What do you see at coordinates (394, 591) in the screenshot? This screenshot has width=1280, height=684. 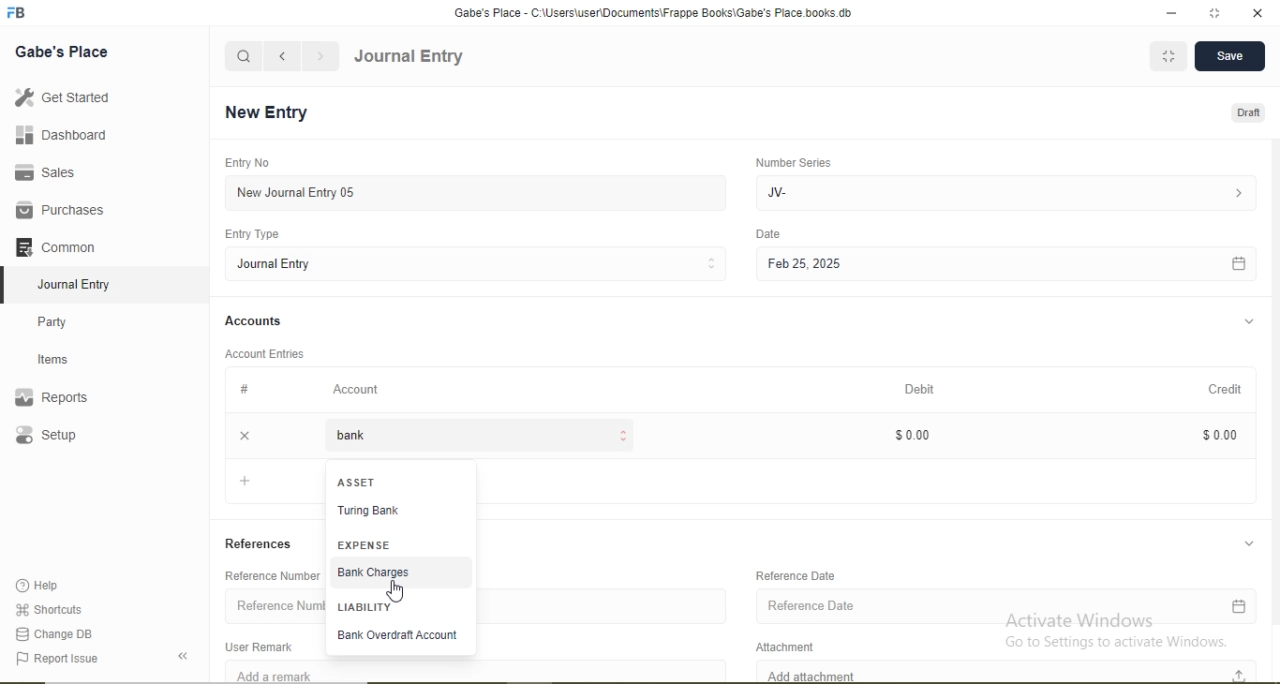 I see `cursor` at bounding box center [394, 591].